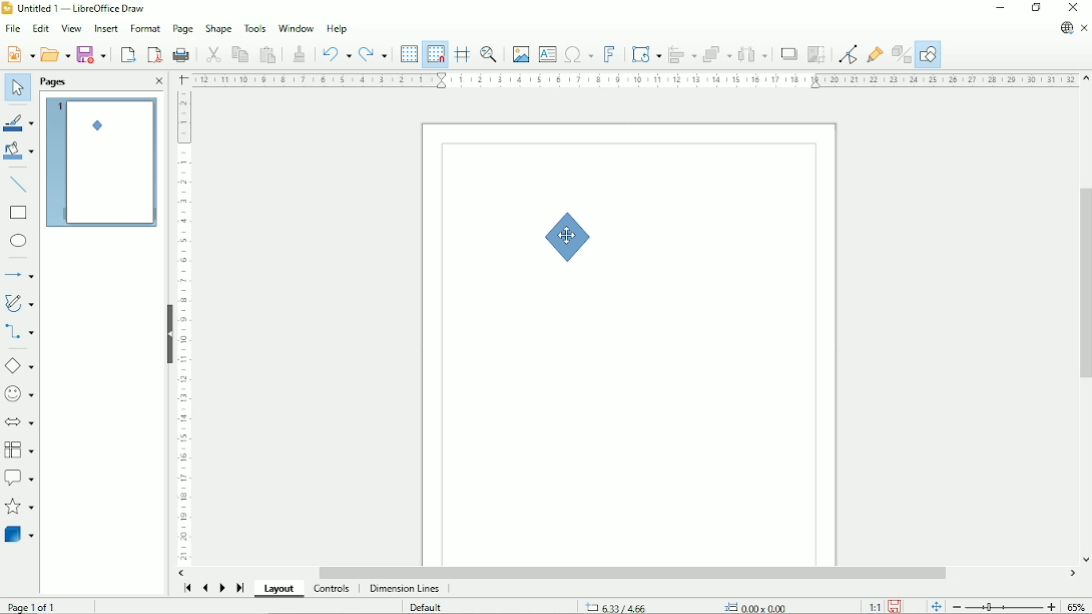  Describe the element at coordinates (1085, 28) in the screenshot. I see `Close document` at that location.